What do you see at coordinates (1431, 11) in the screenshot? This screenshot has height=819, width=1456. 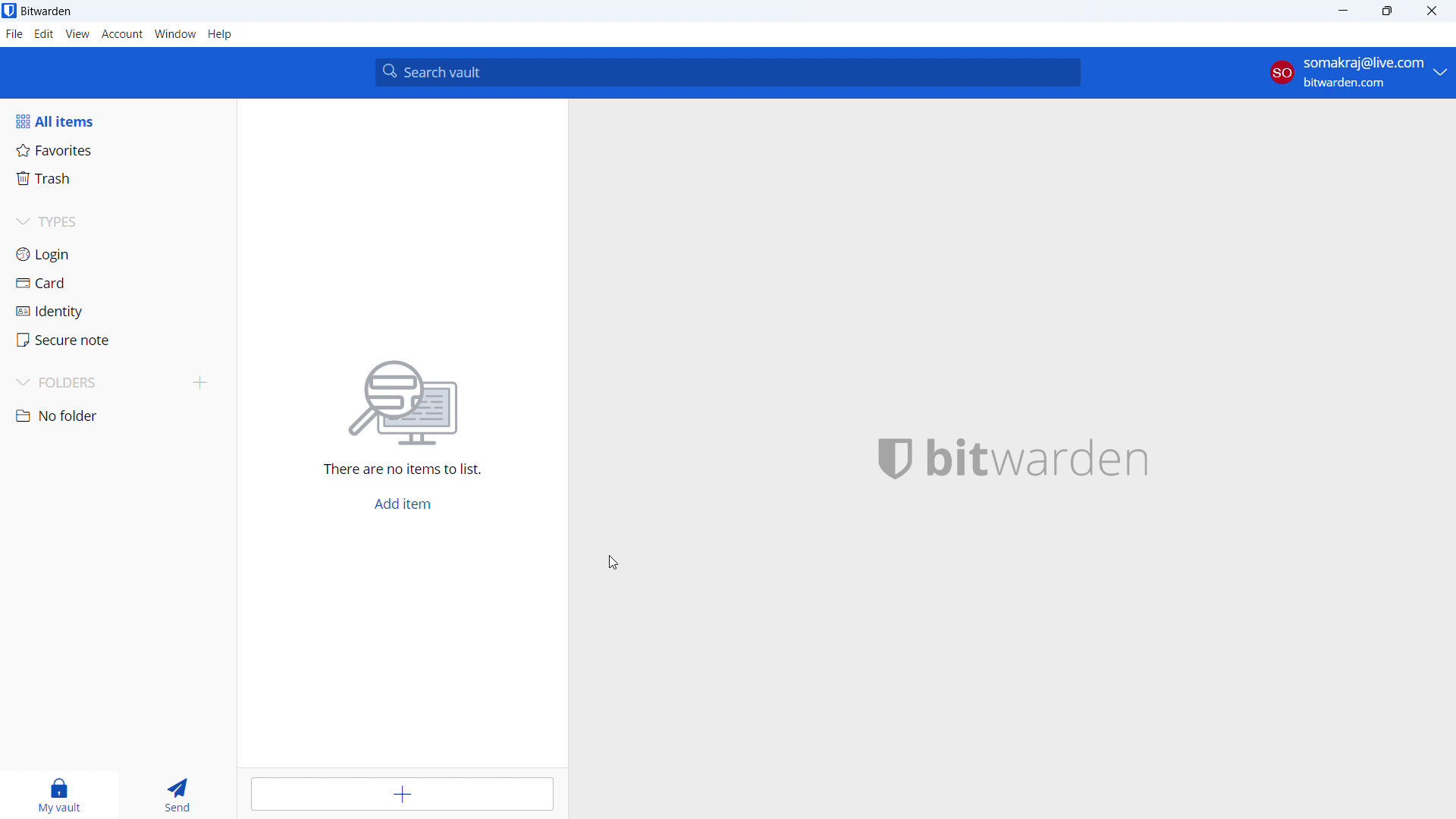 I see `close` at bounding box center [1431, 11].